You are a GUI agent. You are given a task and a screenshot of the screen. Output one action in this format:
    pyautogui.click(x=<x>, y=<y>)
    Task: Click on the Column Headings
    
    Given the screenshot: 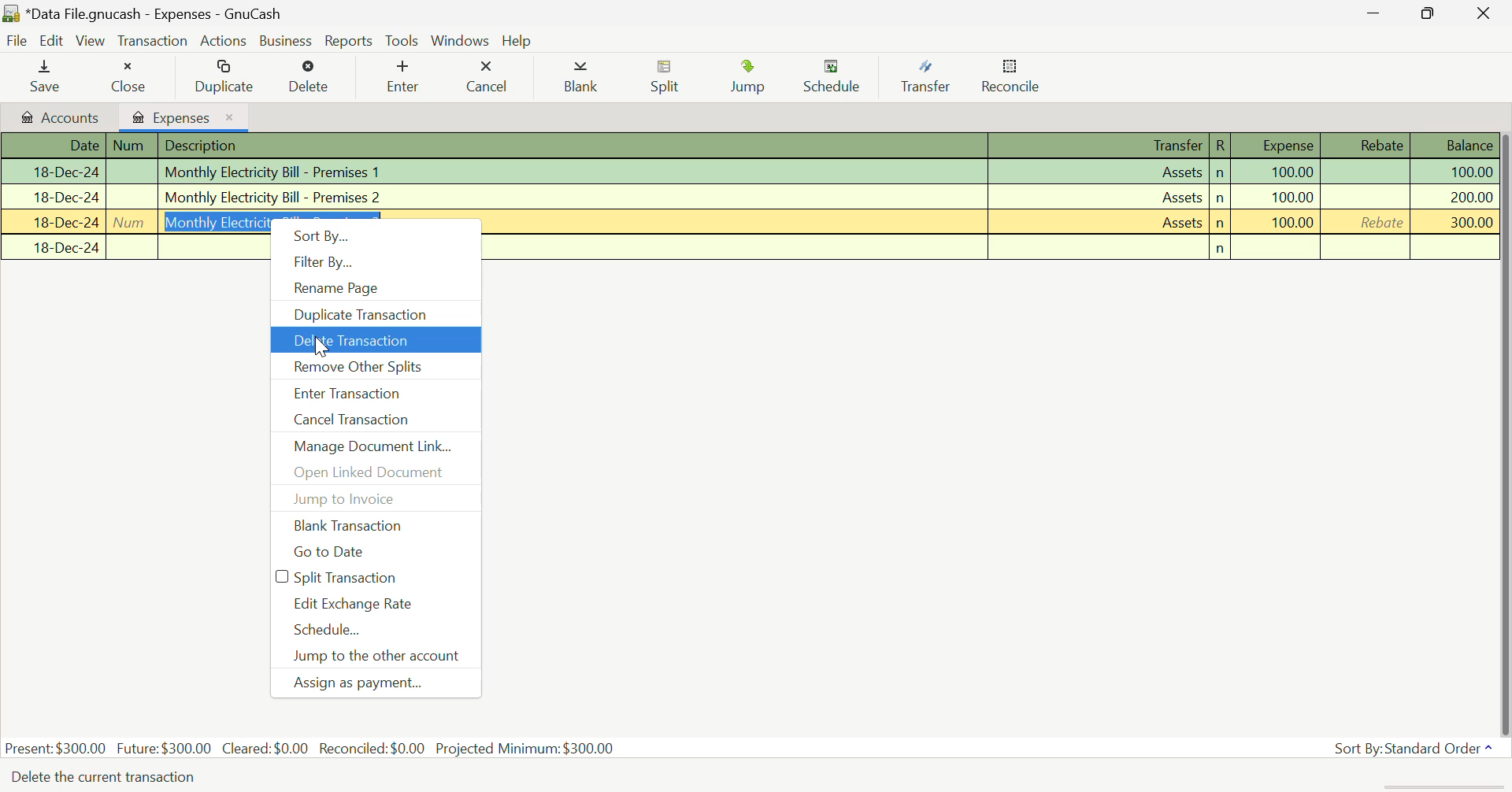 What is the action you would take?
    pyautogui.click(x=750, y=146)
    